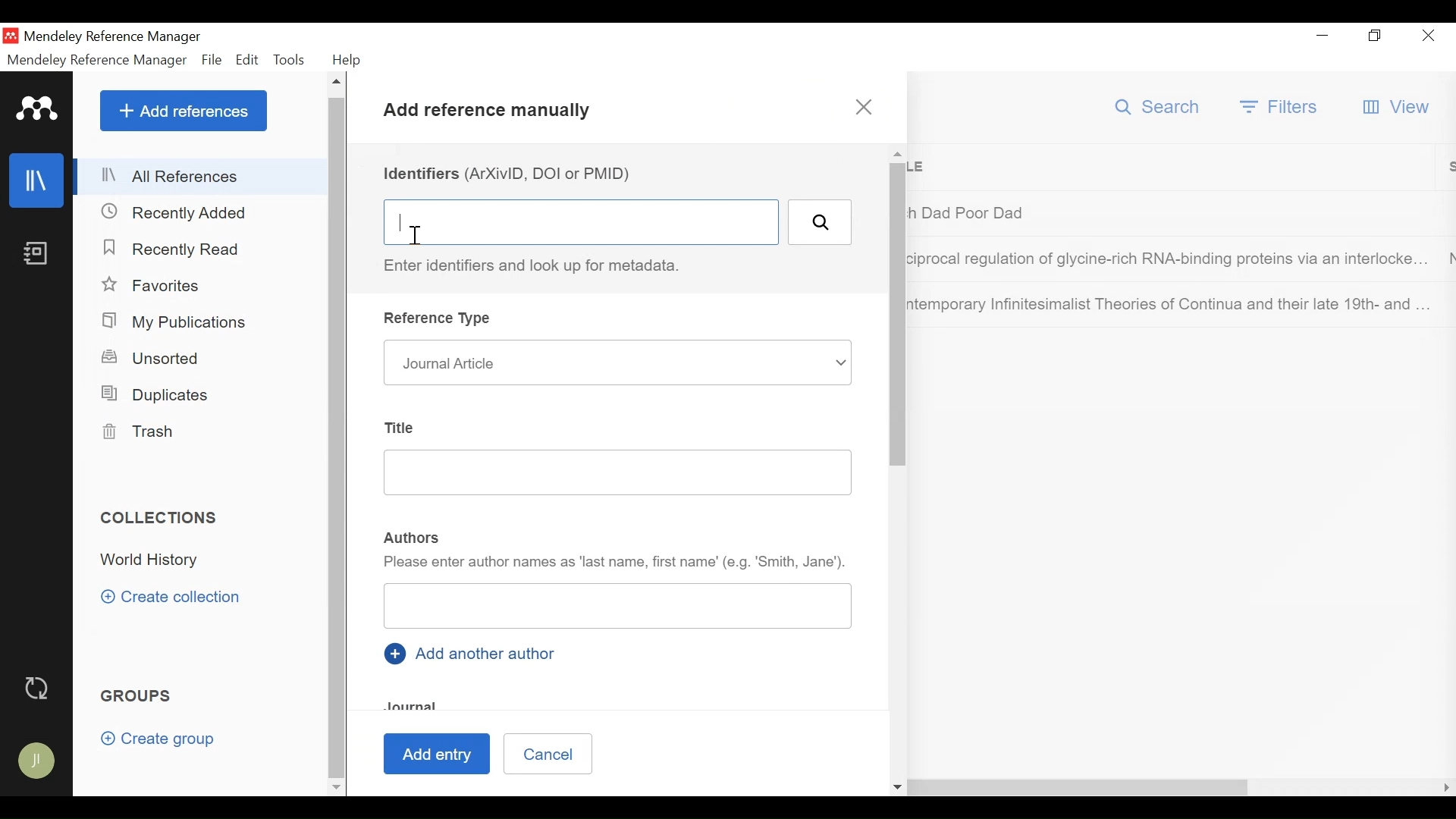 Image resolution: width=1456 pixels, height=819 pixels. I want to click on Create group, so click(158, 739).